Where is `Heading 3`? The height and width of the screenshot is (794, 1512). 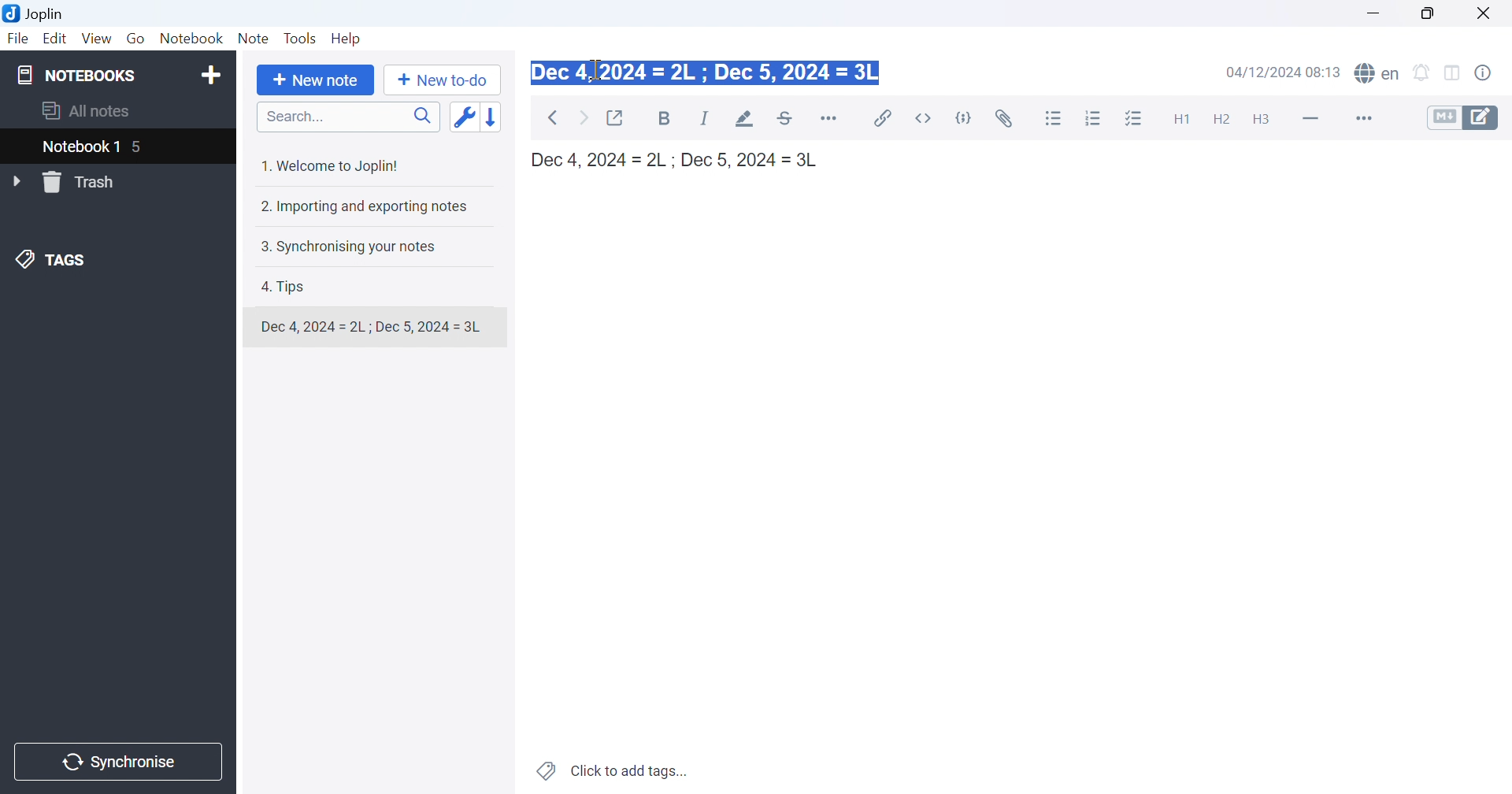 Heading 3 is located at coordinates (1269, 121).